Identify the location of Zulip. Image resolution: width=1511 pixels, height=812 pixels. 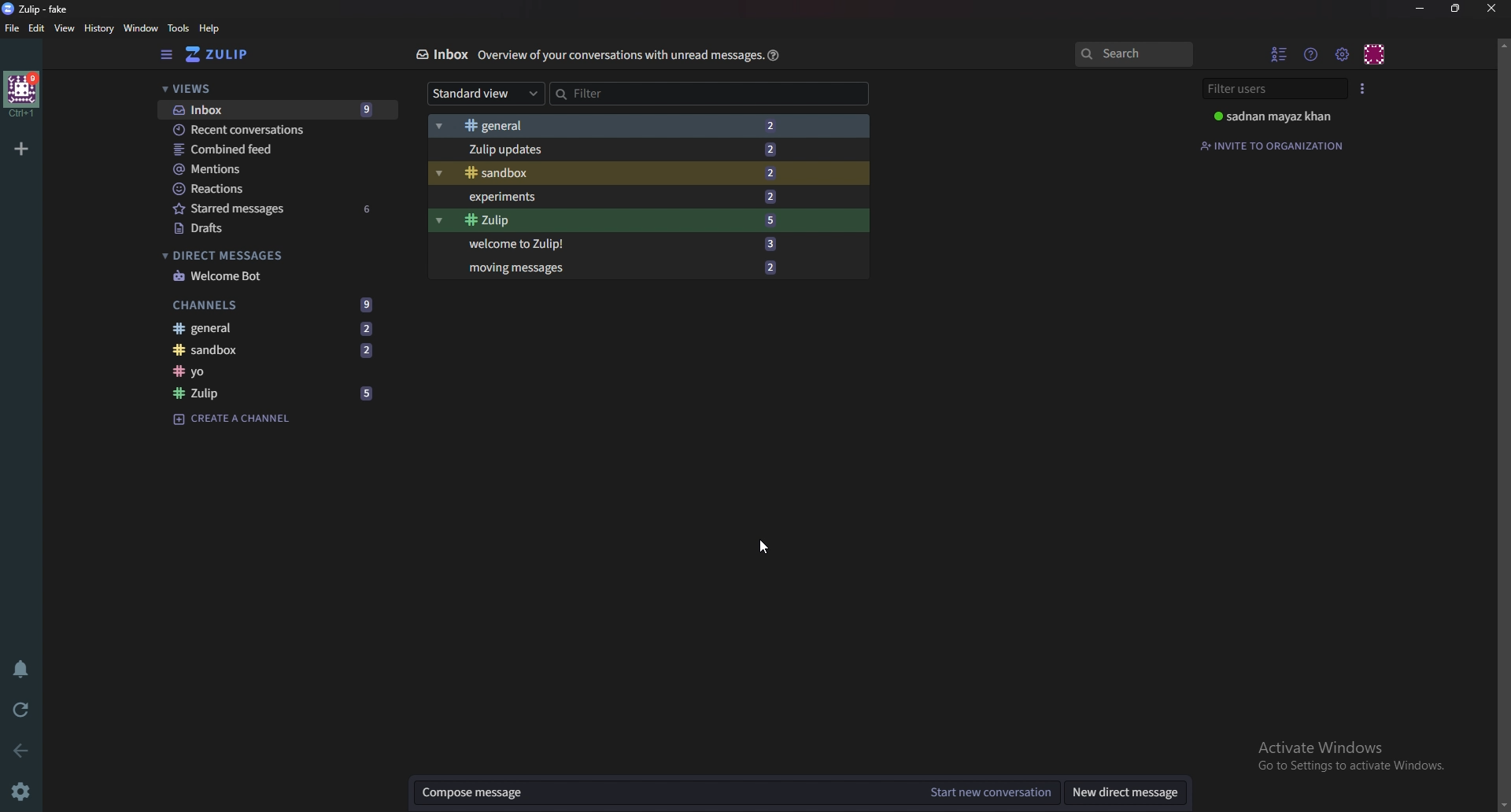
(272, 393).